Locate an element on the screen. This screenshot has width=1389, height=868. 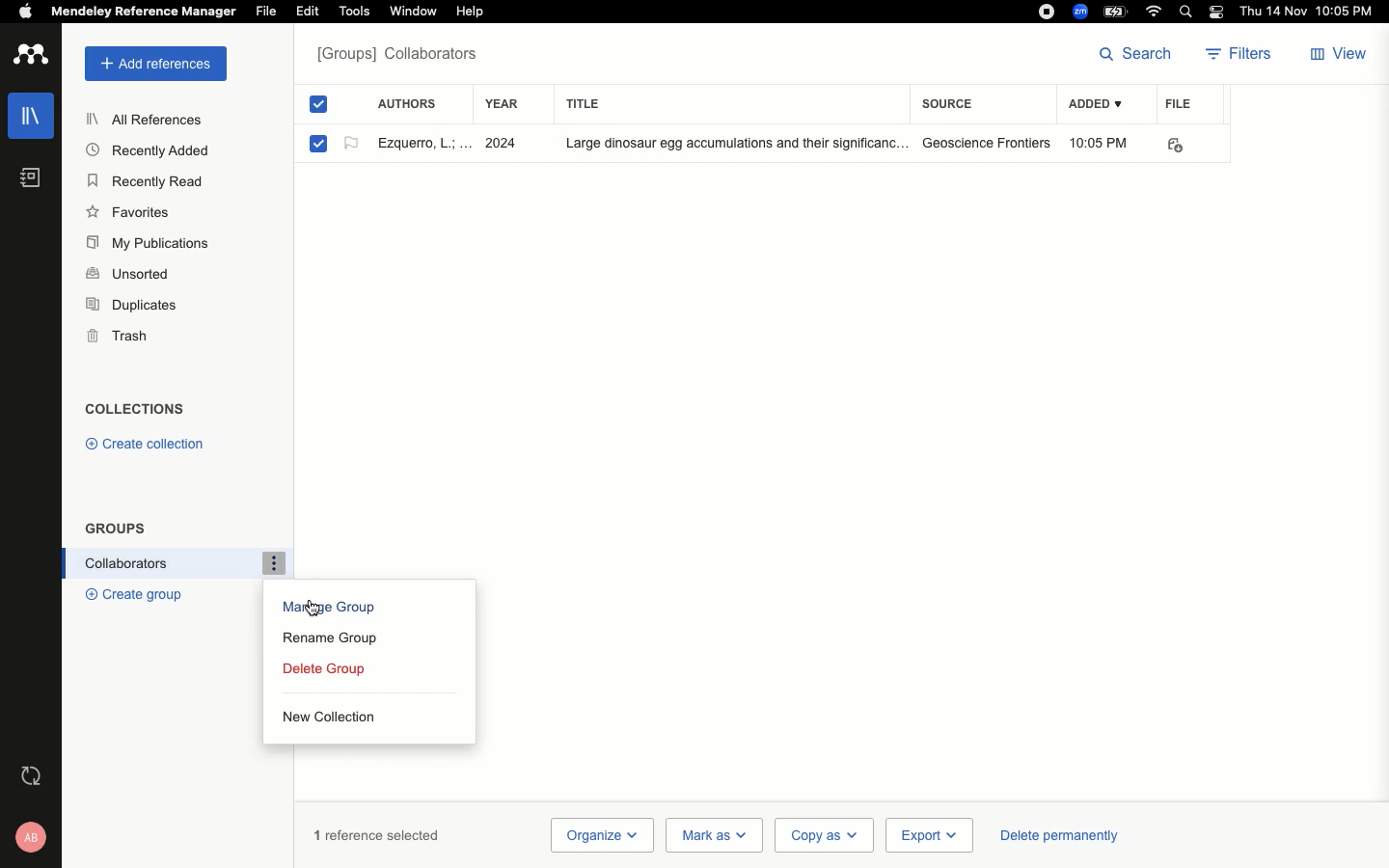
title is located at coordinates (600, 103).